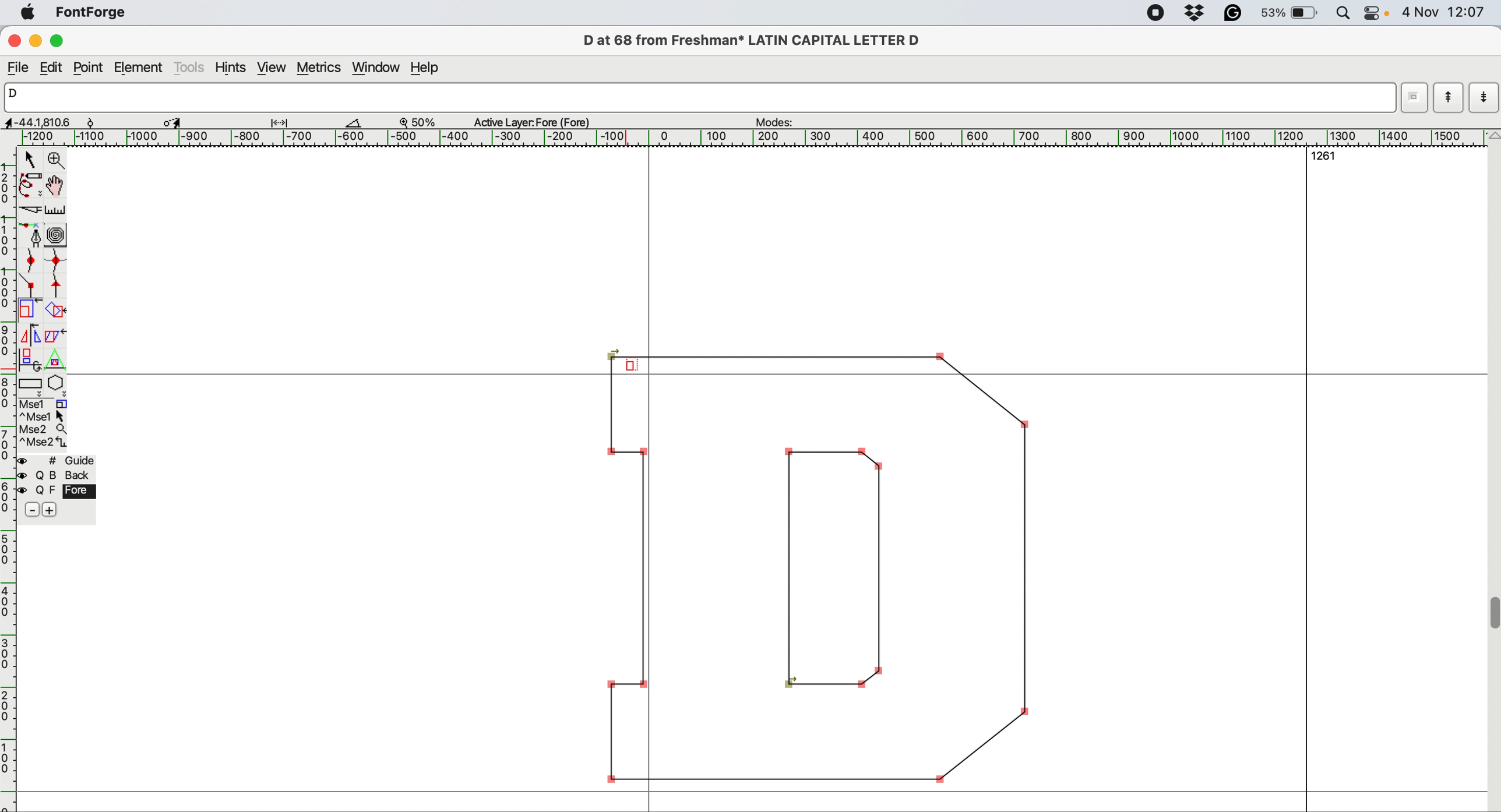 The height and width of the screenshot is (812, 1501). I want to click on cut splines in two, so click(29, 207).